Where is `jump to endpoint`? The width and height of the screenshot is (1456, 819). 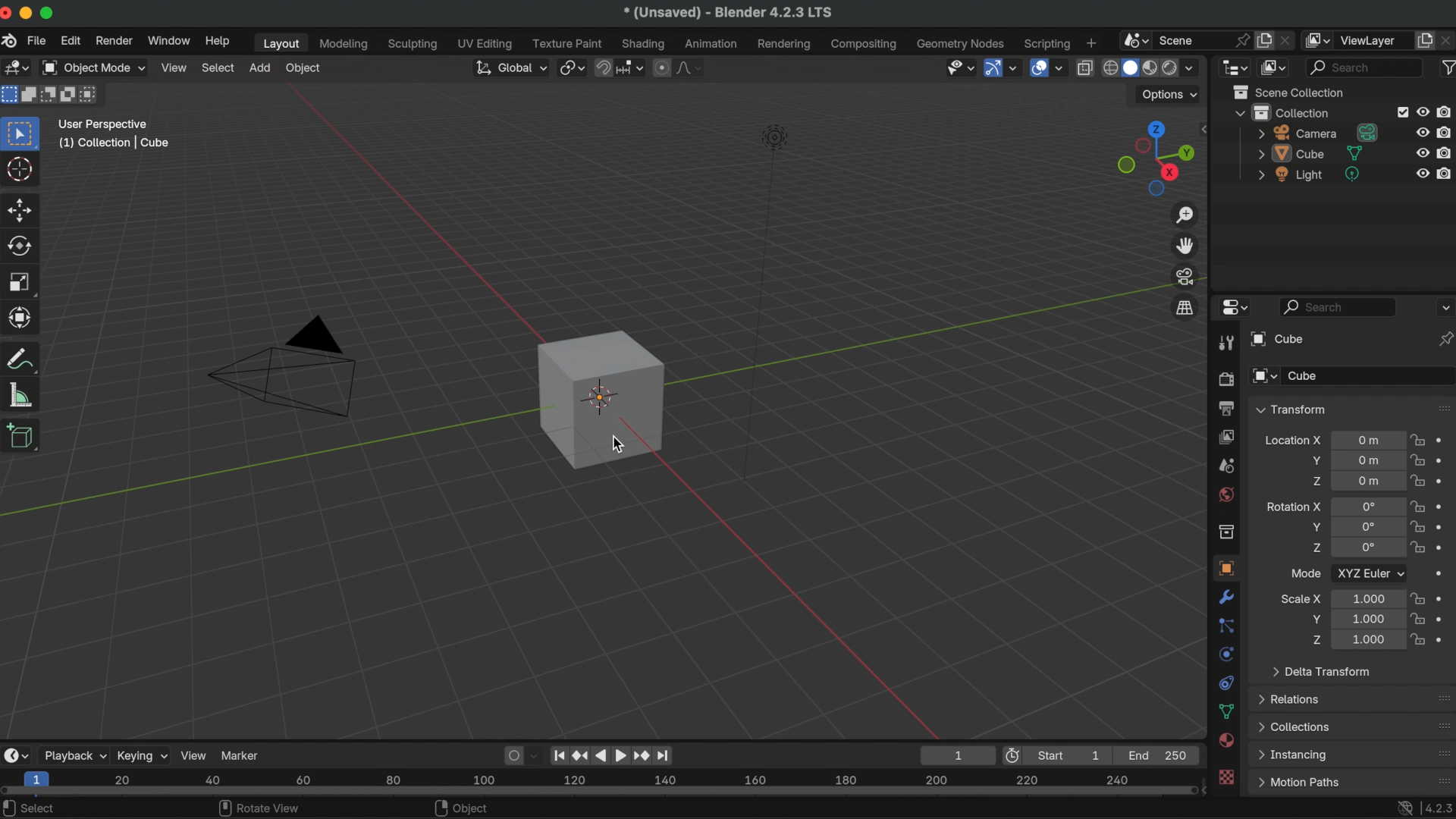
jump to endpoint is located at coordinates (669, 755).